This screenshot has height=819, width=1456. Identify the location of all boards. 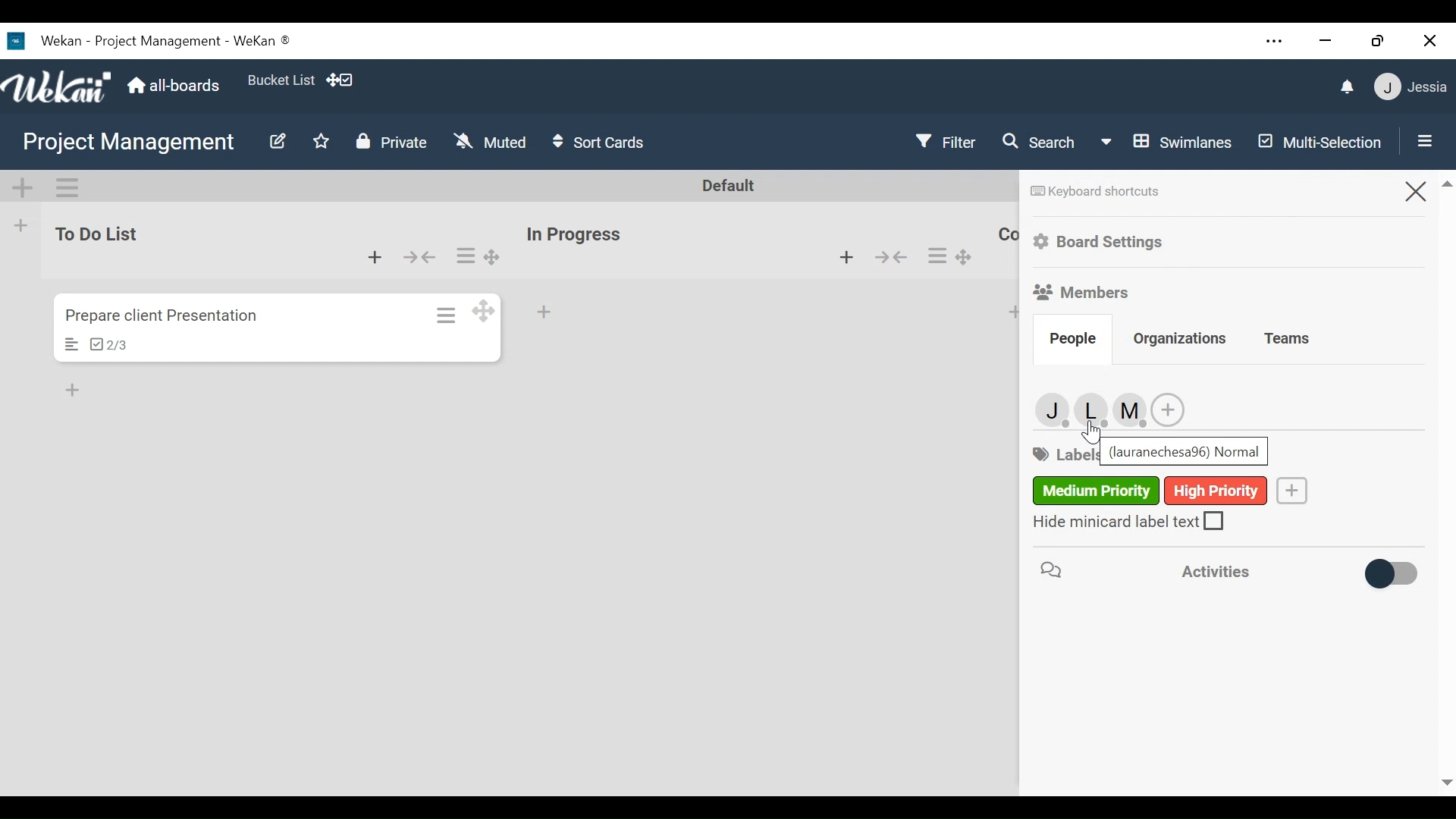
(174, 86).